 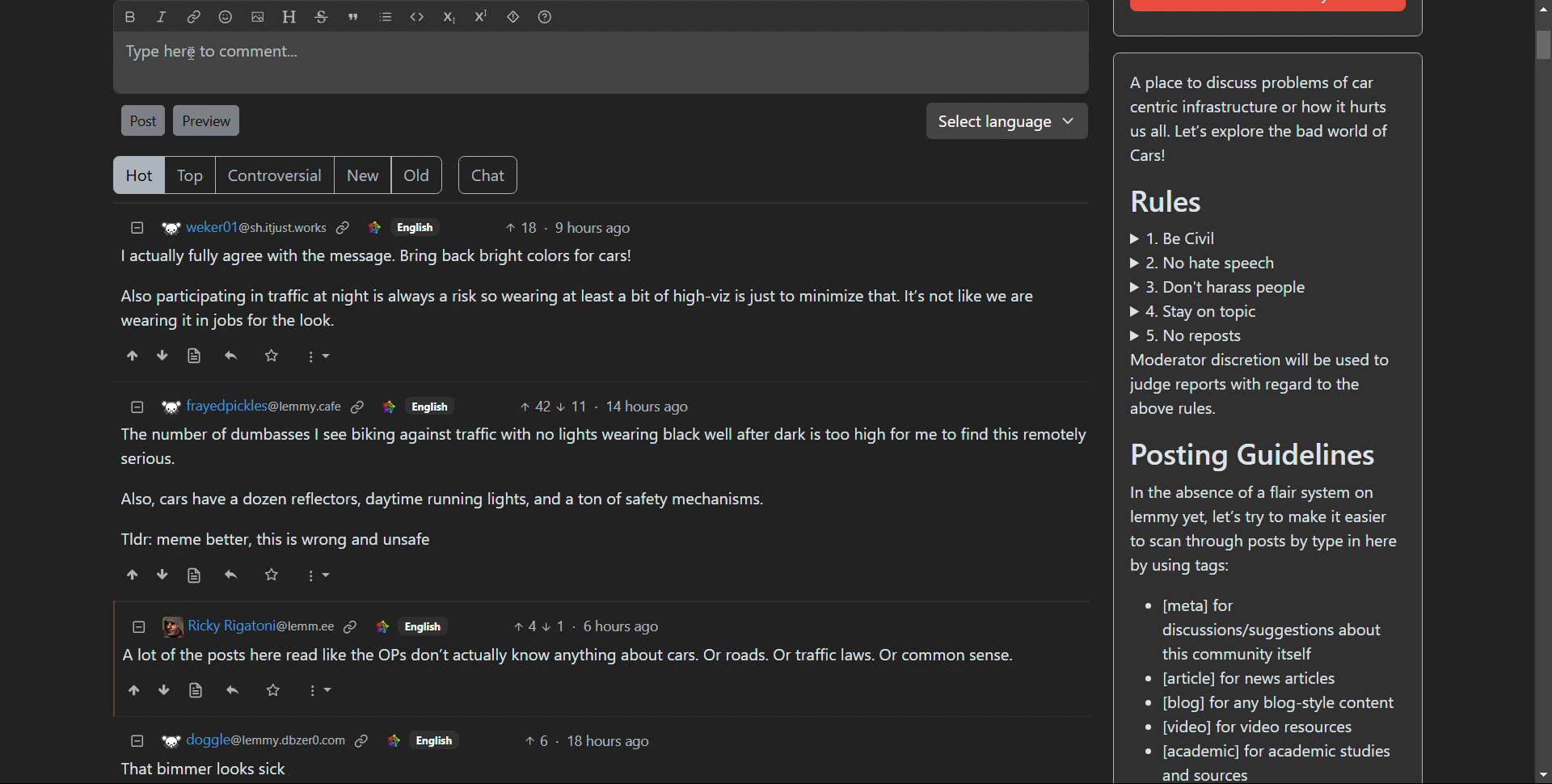 I want to click on upvote, so click(x=133, y=575).